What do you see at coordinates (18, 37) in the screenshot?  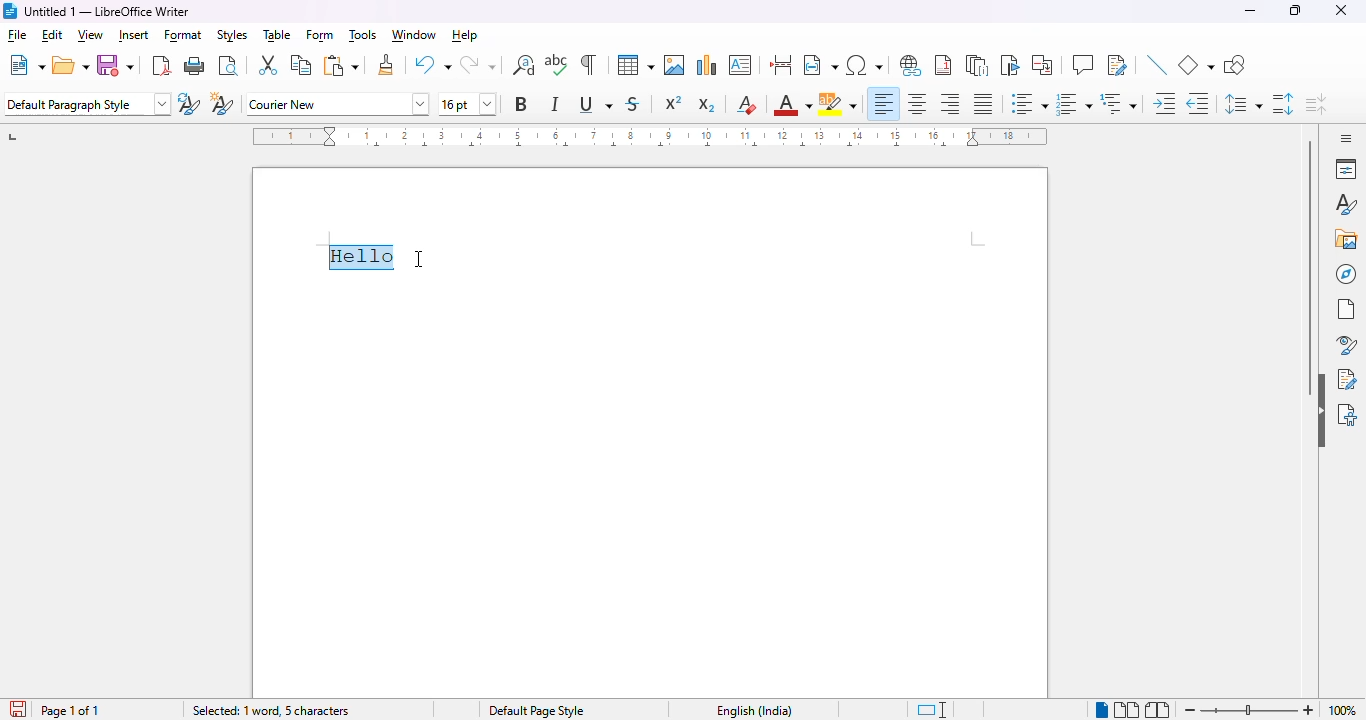 I see `file` at bounding box center [18, 37].